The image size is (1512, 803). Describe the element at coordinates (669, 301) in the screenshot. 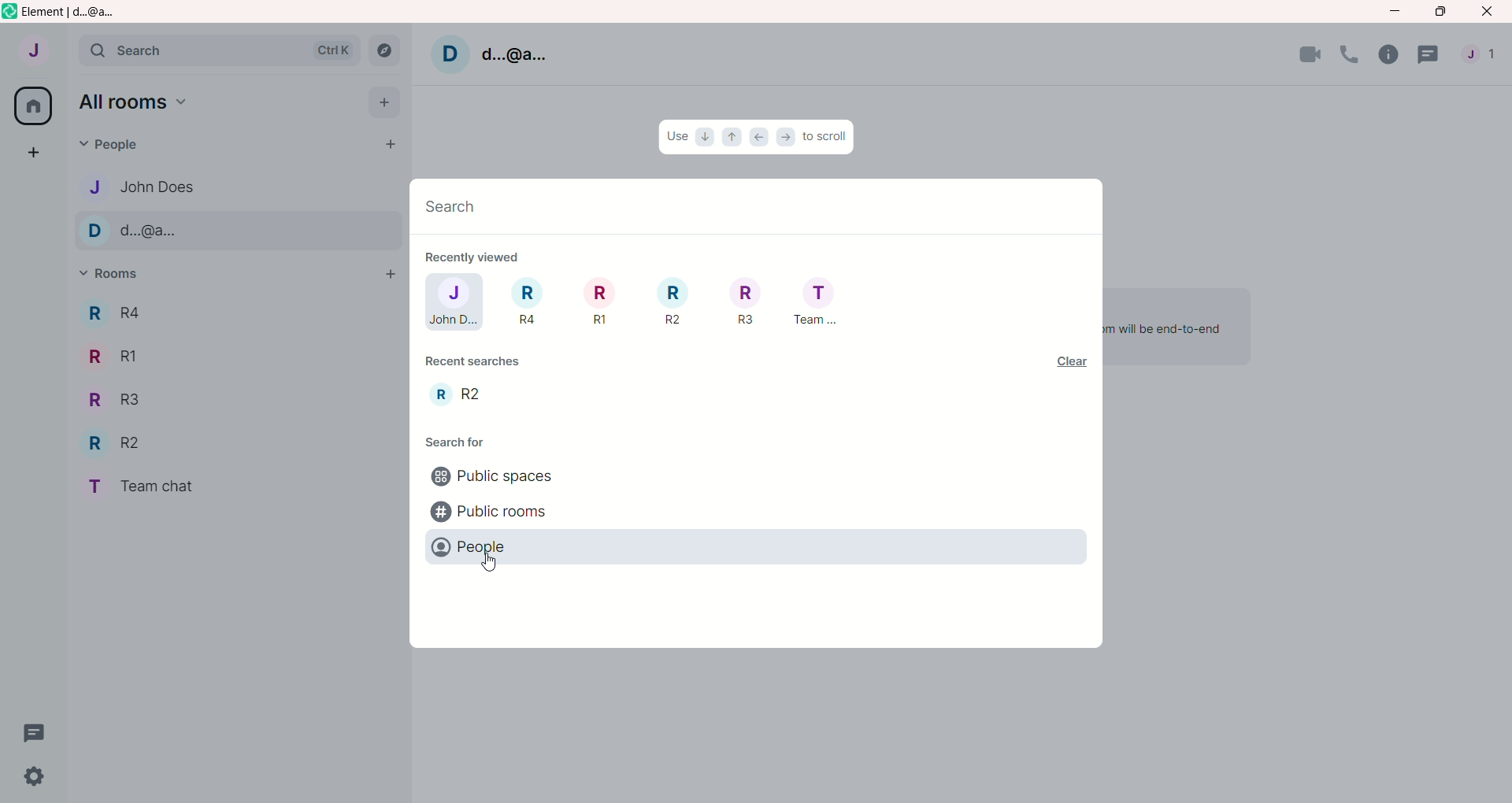

I see `recent user r2` at that location.